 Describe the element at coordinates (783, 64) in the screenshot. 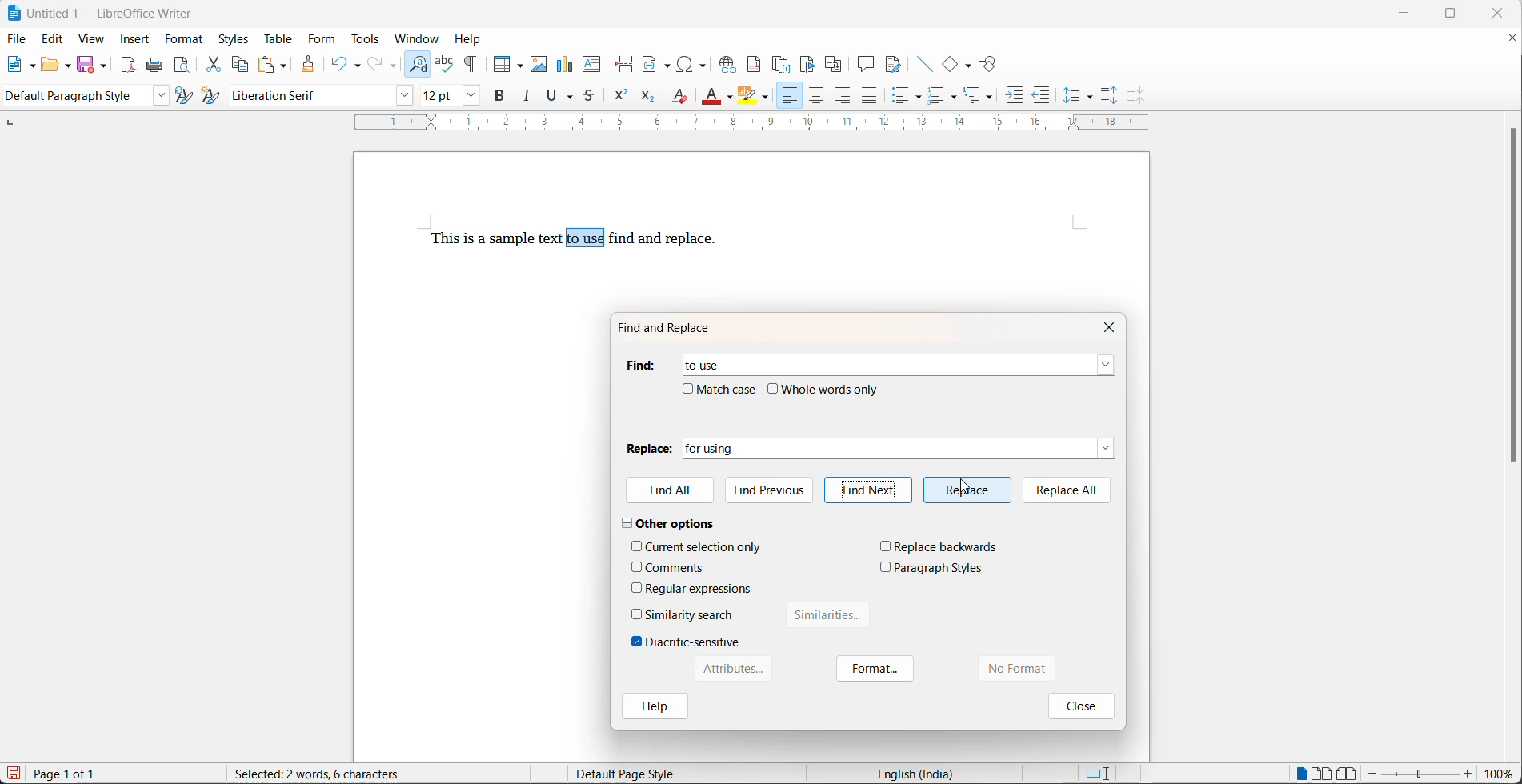

I see `insert endnote` at that location.